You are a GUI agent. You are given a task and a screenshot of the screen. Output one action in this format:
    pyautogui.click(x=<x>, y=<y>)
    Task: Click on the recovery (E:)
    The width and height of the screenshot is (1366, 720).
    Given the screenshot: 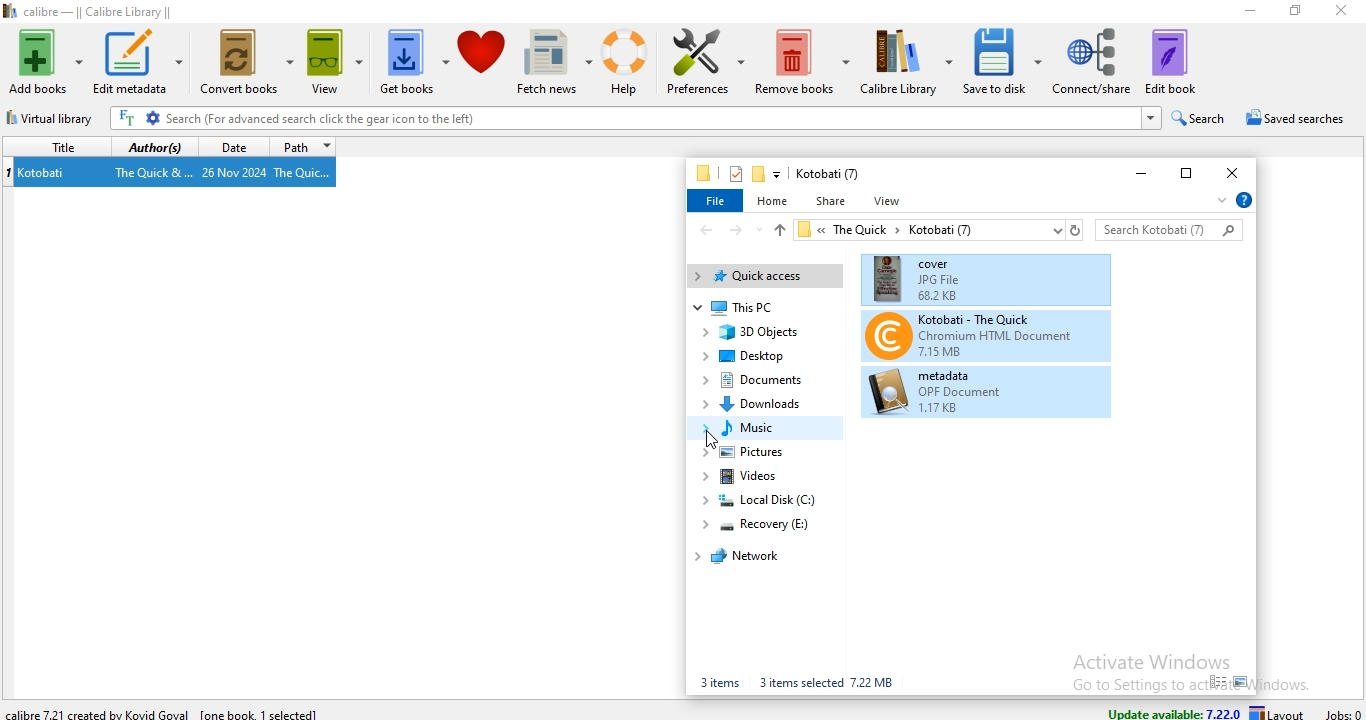 What is the action you would take?
    pyautogui.click(x=766, y=525)
    